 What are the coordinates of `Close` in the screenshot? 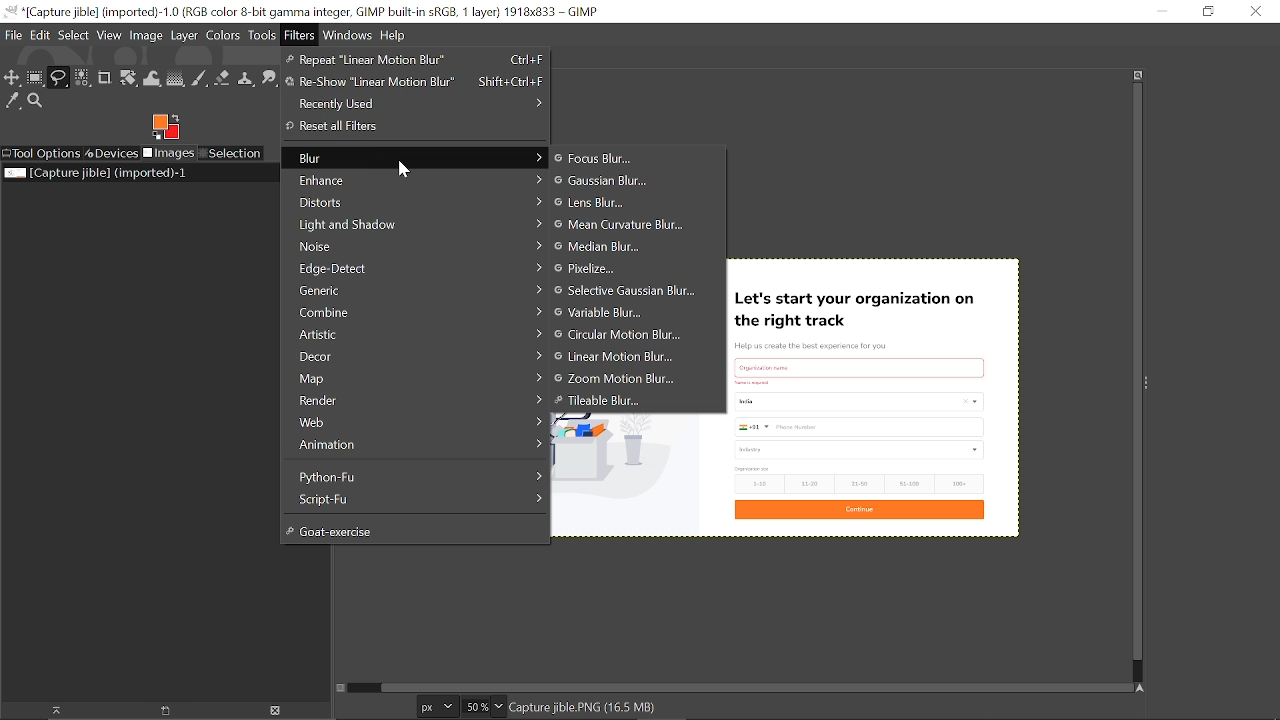 It's located at (1256, 11).